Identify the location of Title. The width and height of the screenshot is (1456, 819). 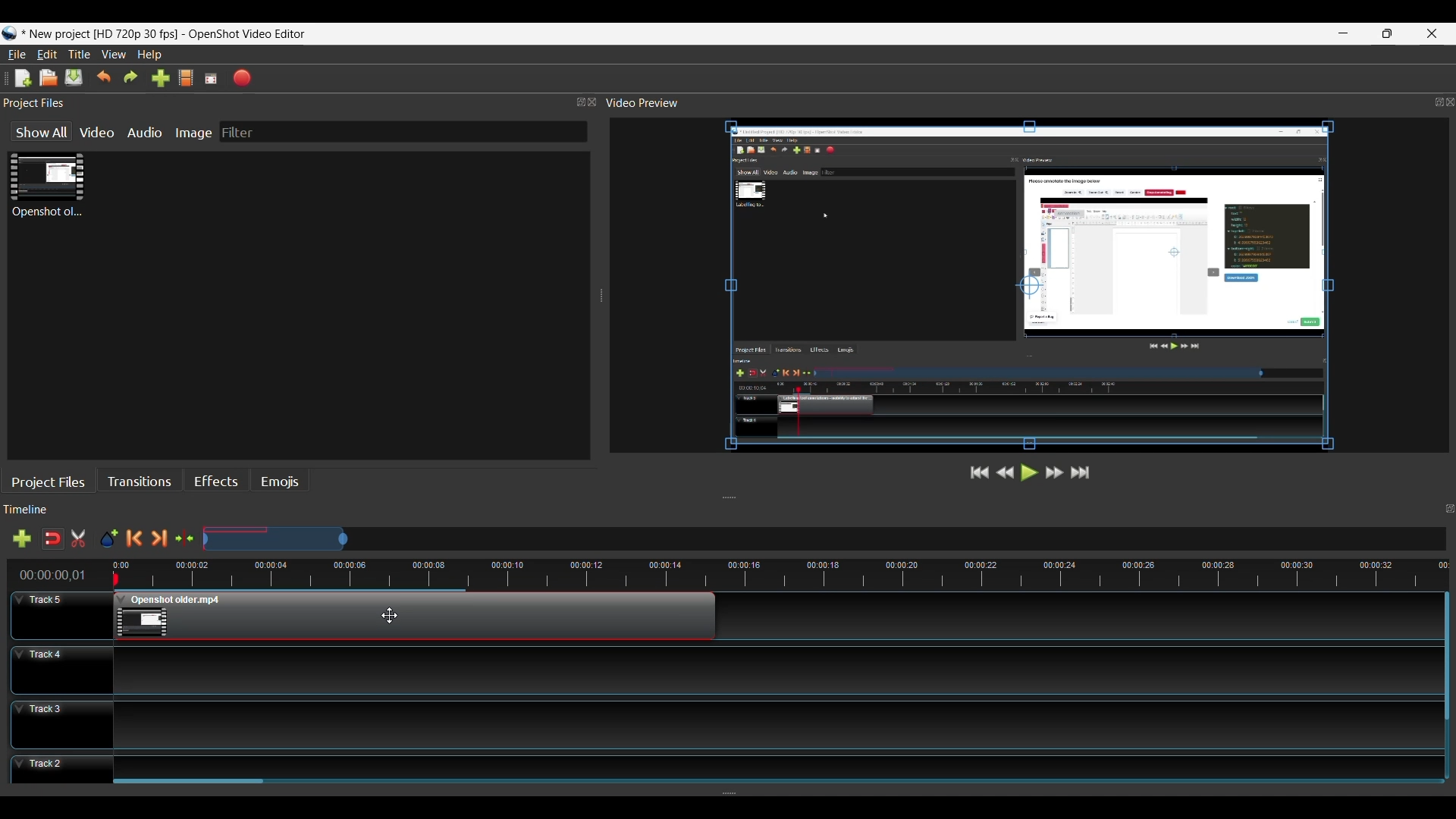
(81, 55).